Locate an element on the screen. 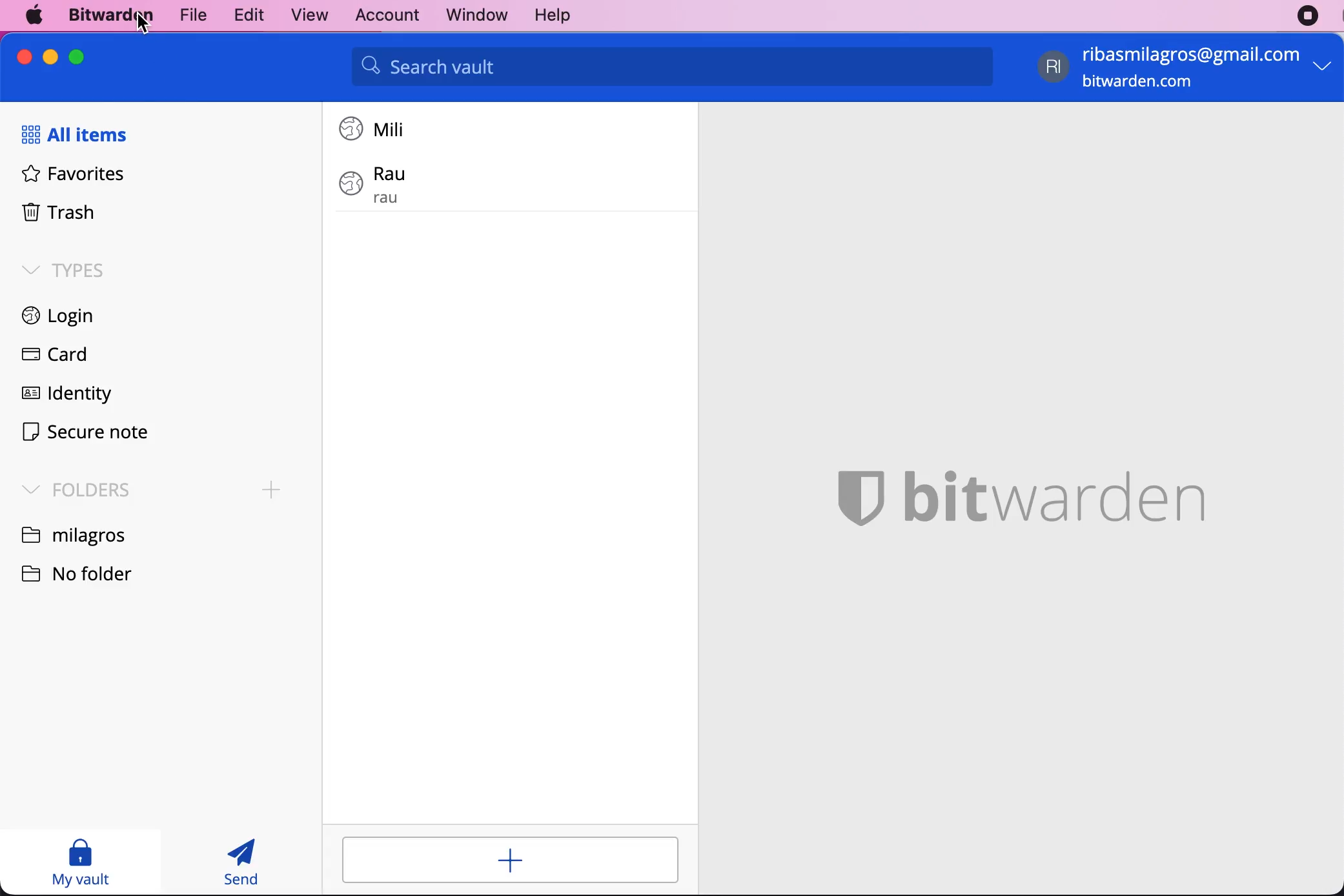  Add folder is located at coordinates (272, 490).